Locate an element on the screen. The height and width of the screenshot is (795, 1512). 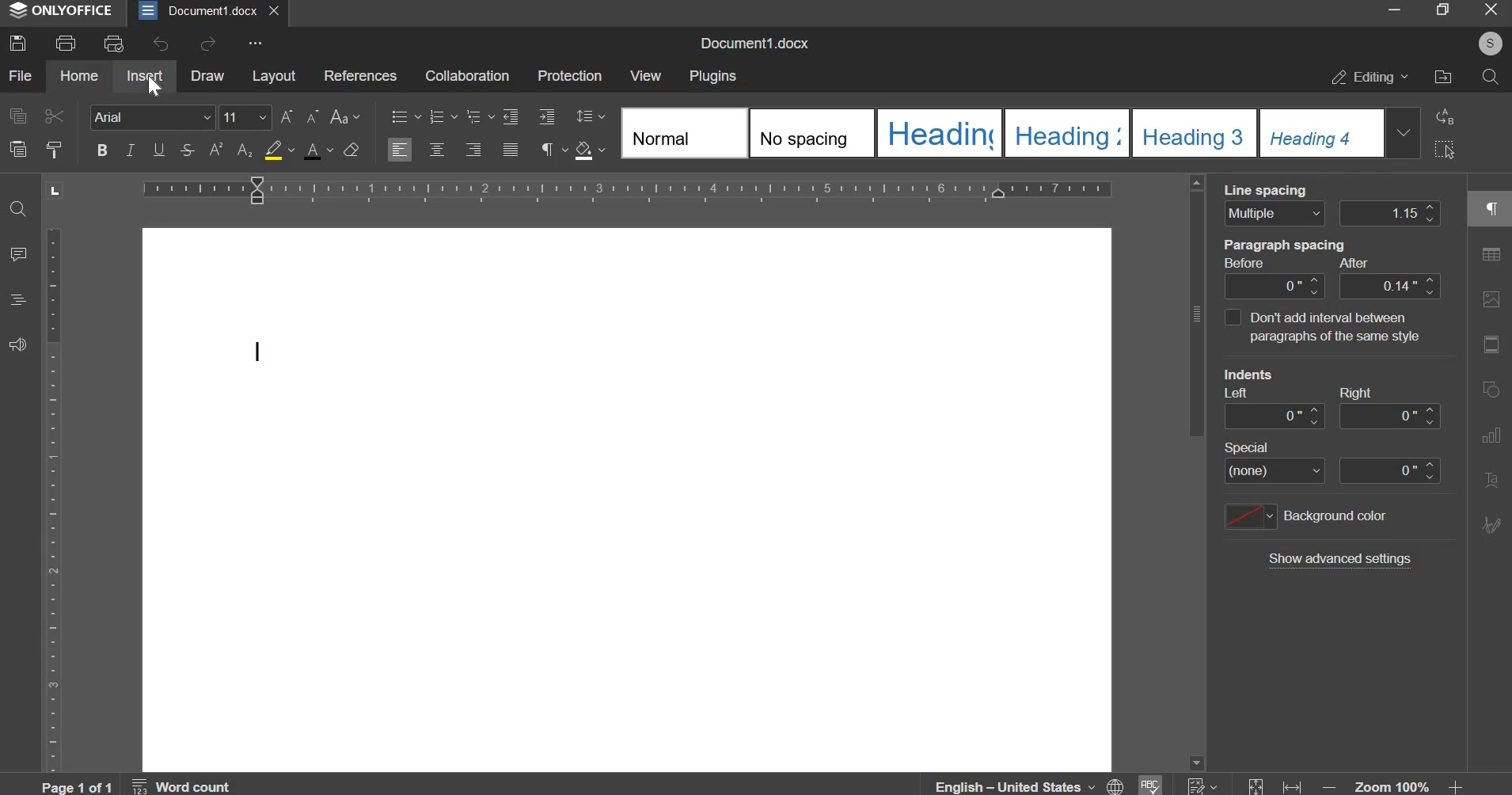
special is located at coordinates (1332, 471).